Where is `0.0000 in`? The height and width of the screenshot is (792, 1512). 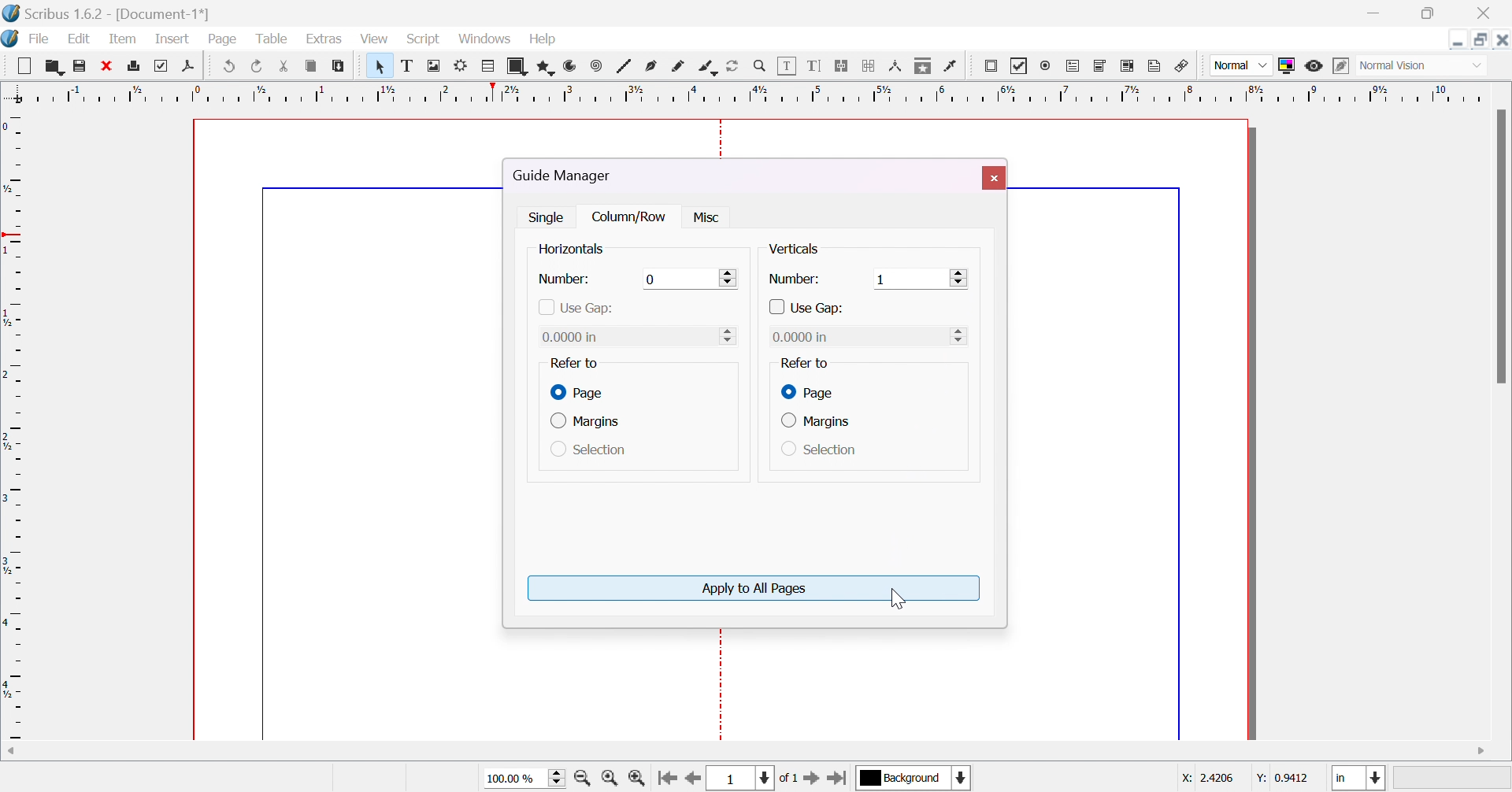 0.0000 in is located at coordinates (802, 336).